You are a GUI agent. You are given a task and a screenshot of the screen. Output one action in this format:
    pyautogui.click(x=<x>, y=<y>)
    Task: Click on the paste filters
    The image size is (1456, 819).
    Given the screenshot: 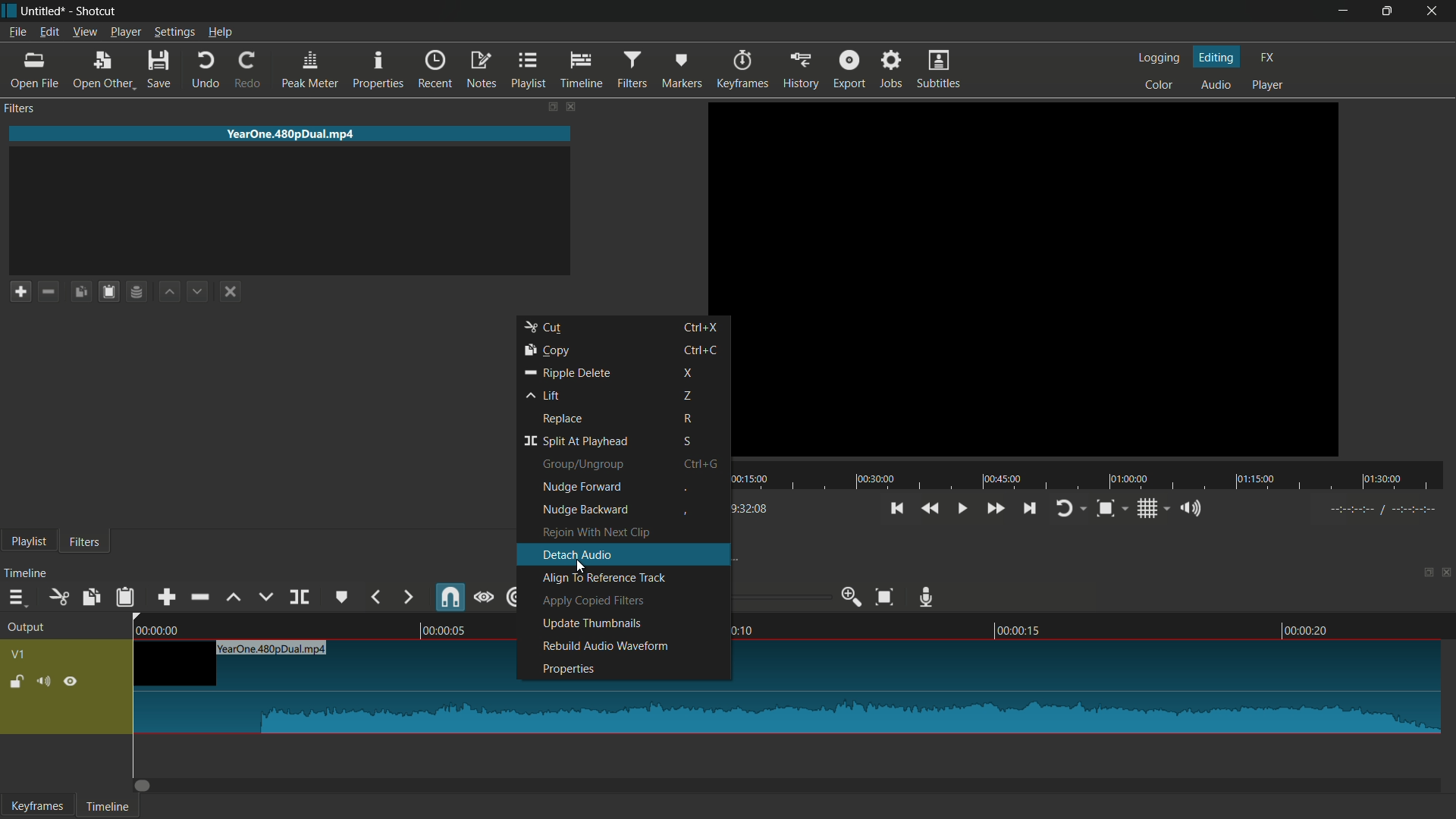 What is the action you would take?
    pyautogui.click(x=111, y=292)
    